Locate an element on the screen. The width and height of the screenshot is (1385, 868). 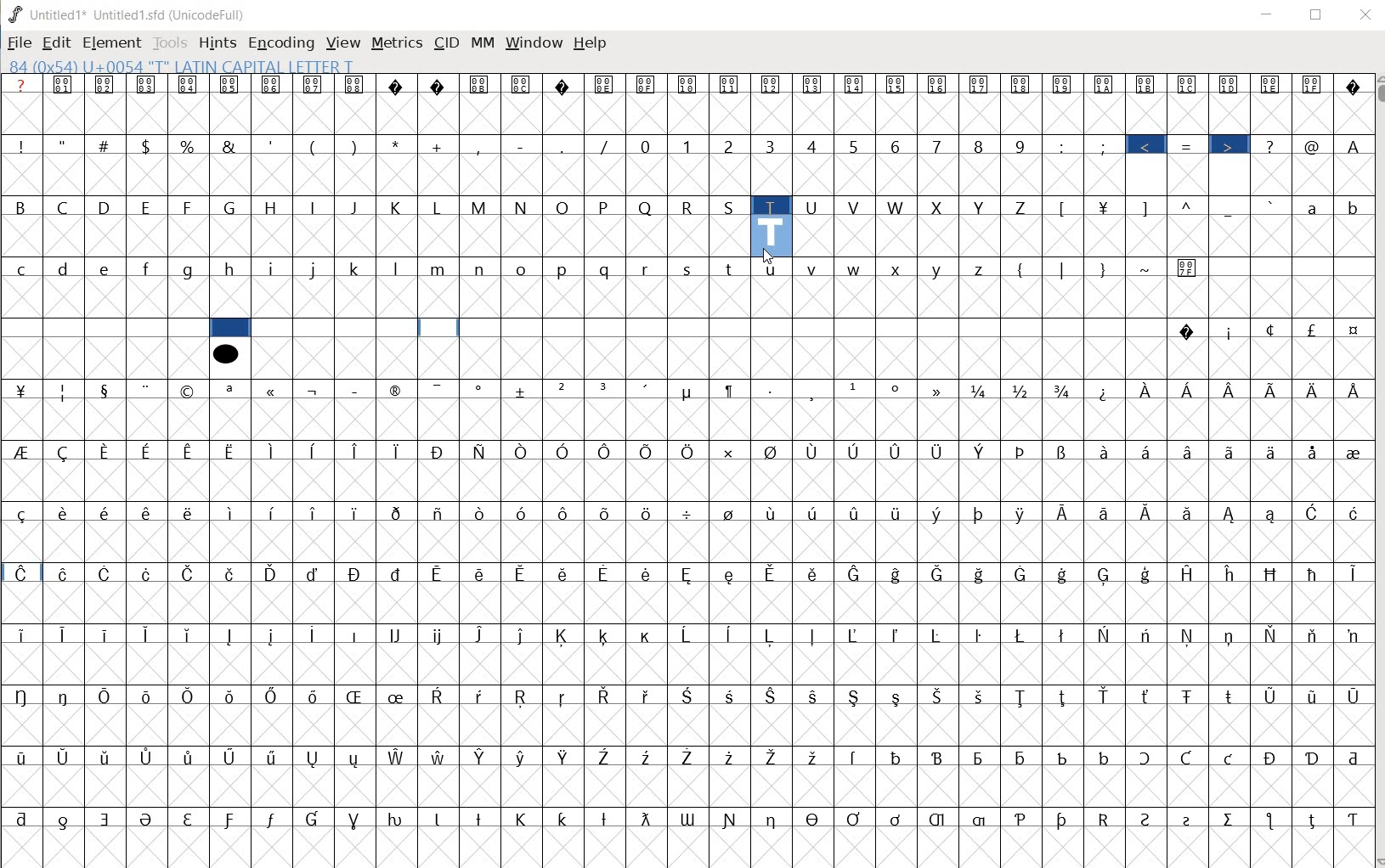
scrollbar is located at coordinates (1377, 470).